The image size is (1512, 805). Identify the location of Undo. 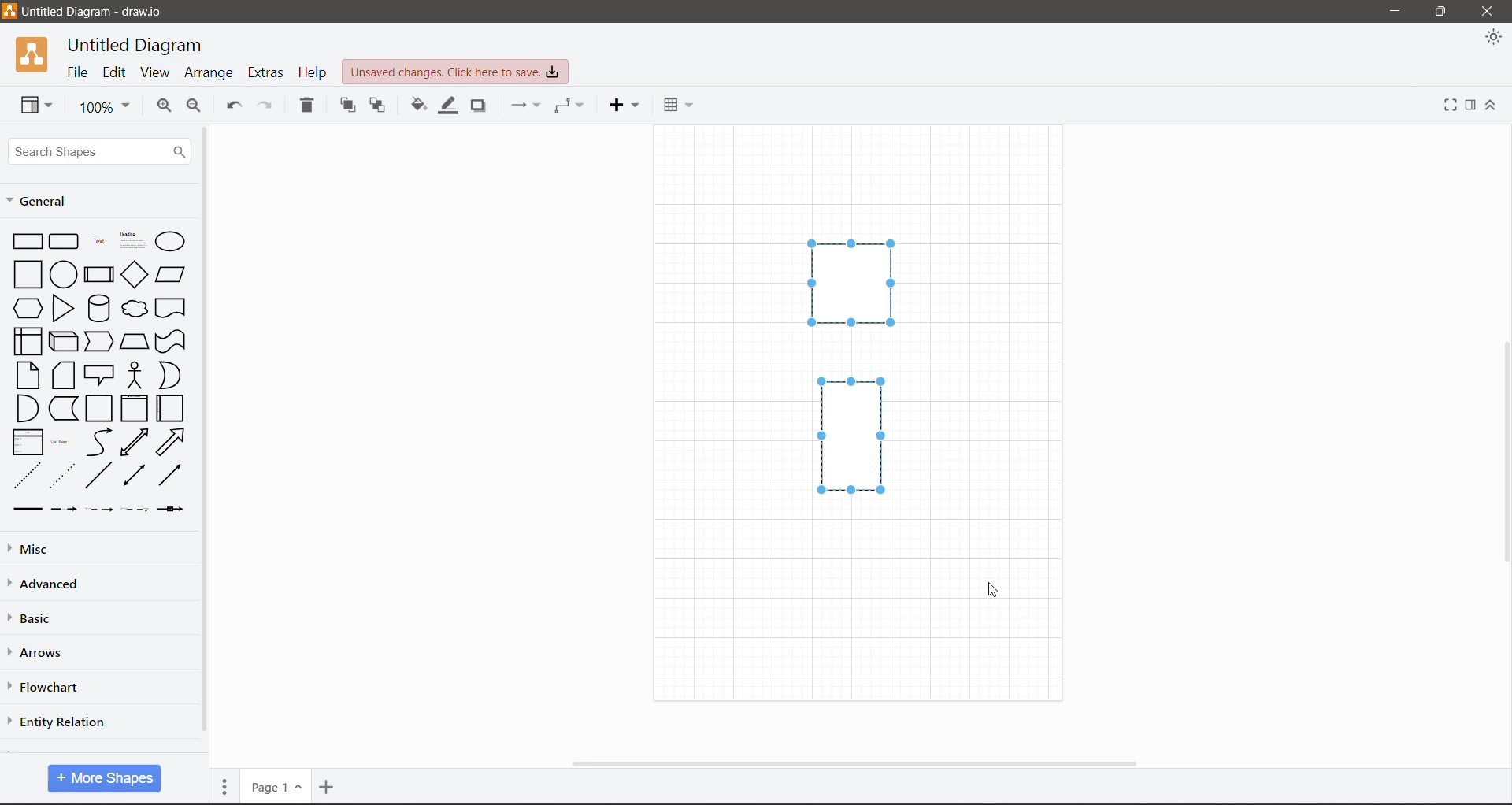
(234, 106).